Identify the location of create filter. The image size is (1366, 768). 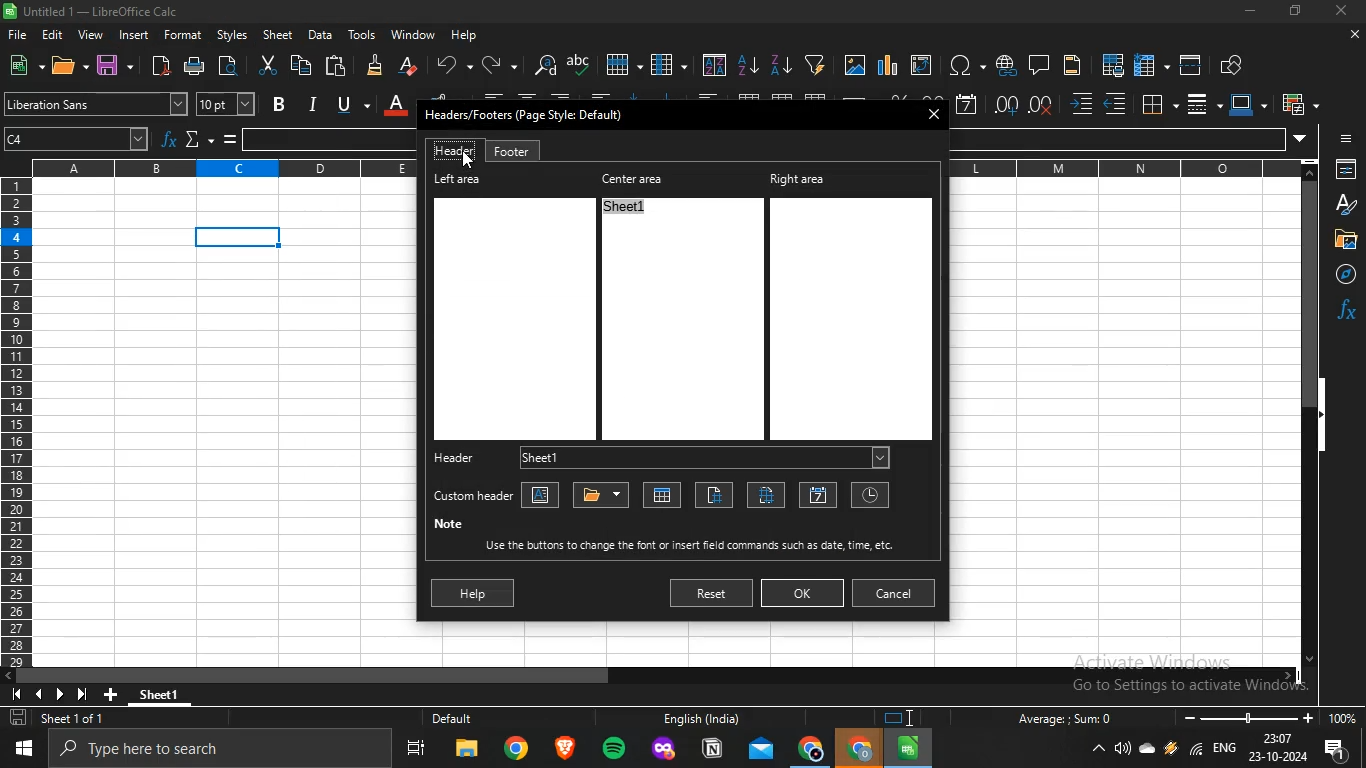
(815, 63).